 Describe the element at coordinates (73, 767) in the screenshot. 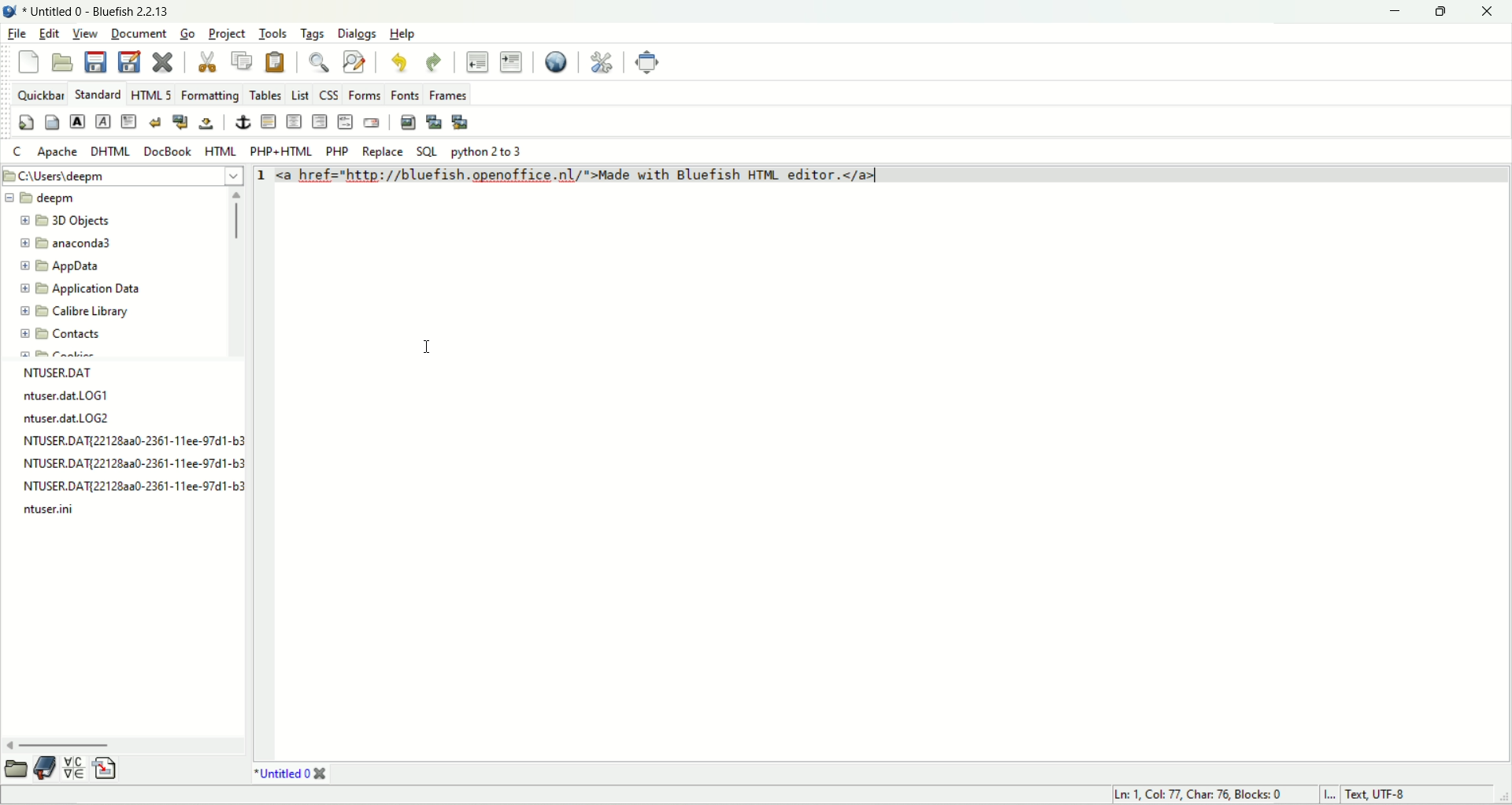

I see `insert special character` at that location.